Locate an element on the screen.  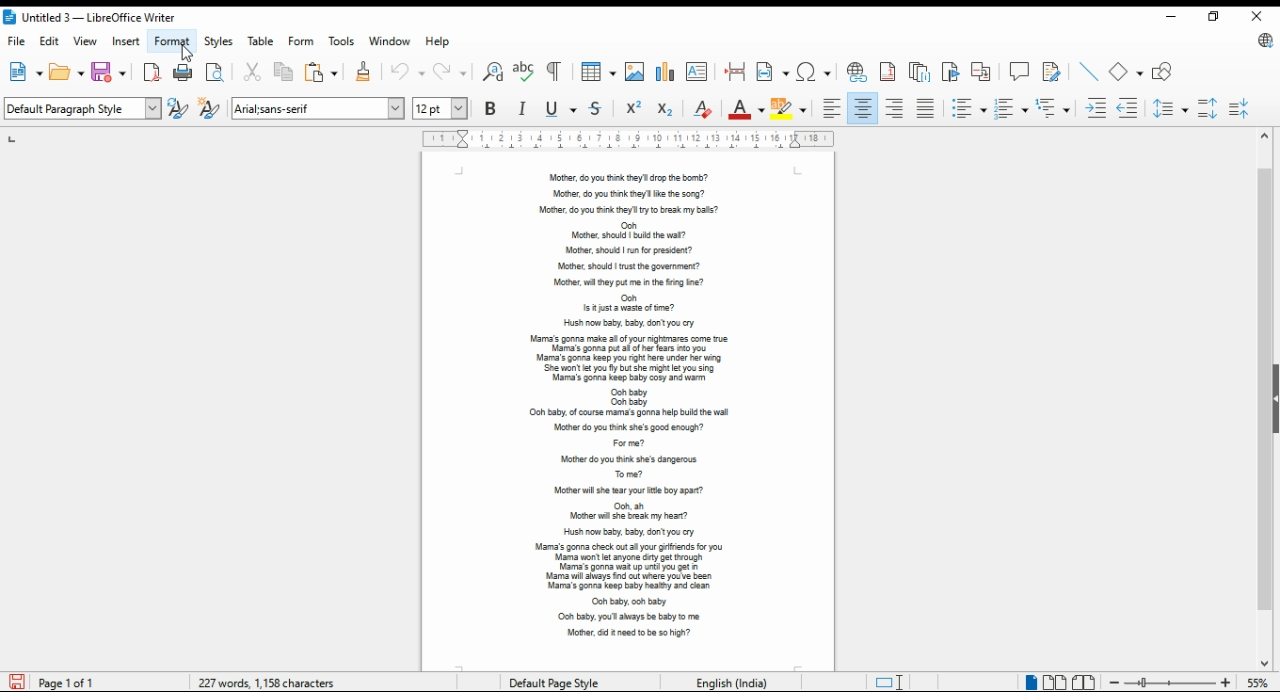
paste is located at coordinates (322, 72).